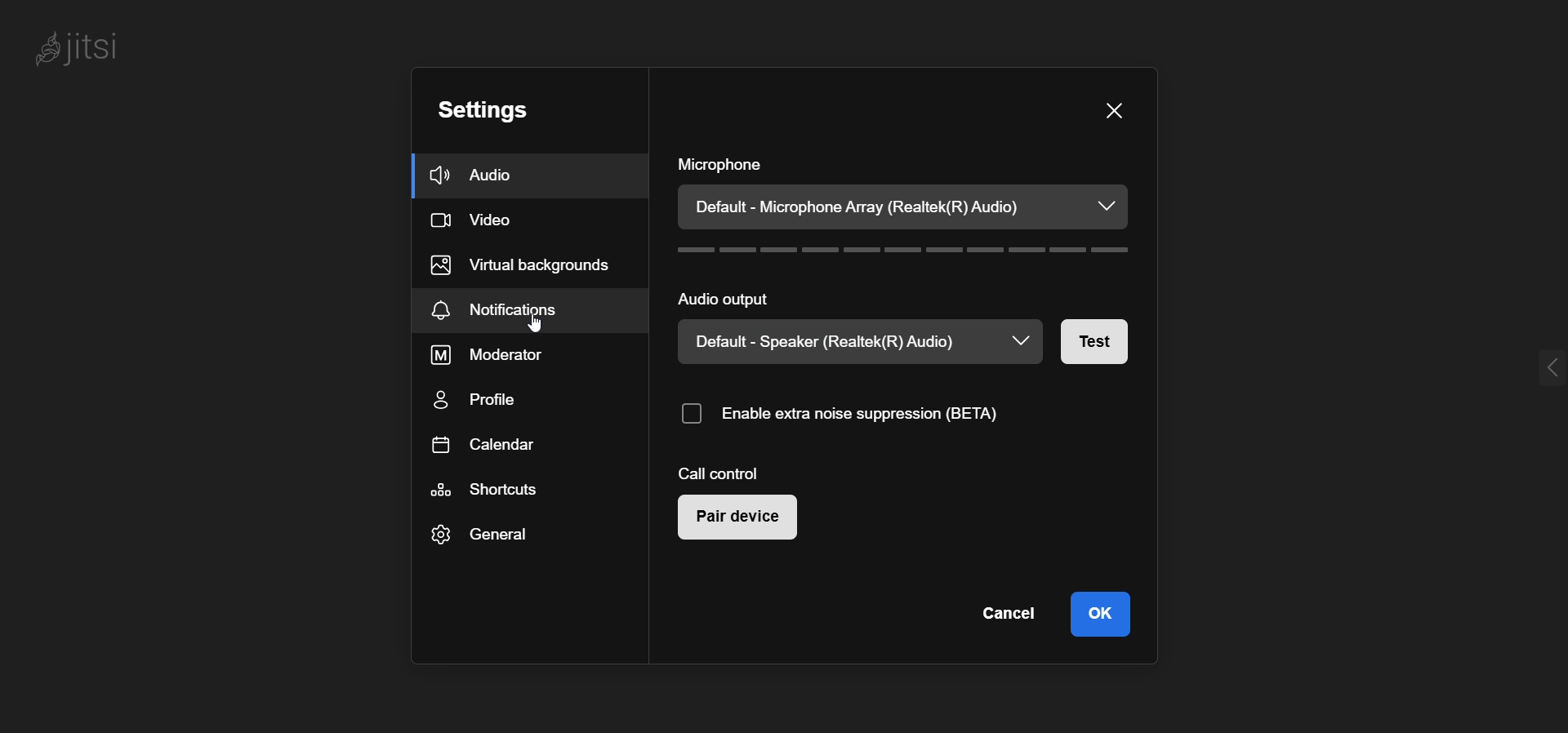 This screenshot has height=733, width=1568. Describe the element at coordinates (1097, 342) in the screenshot. I see `test` at that location.